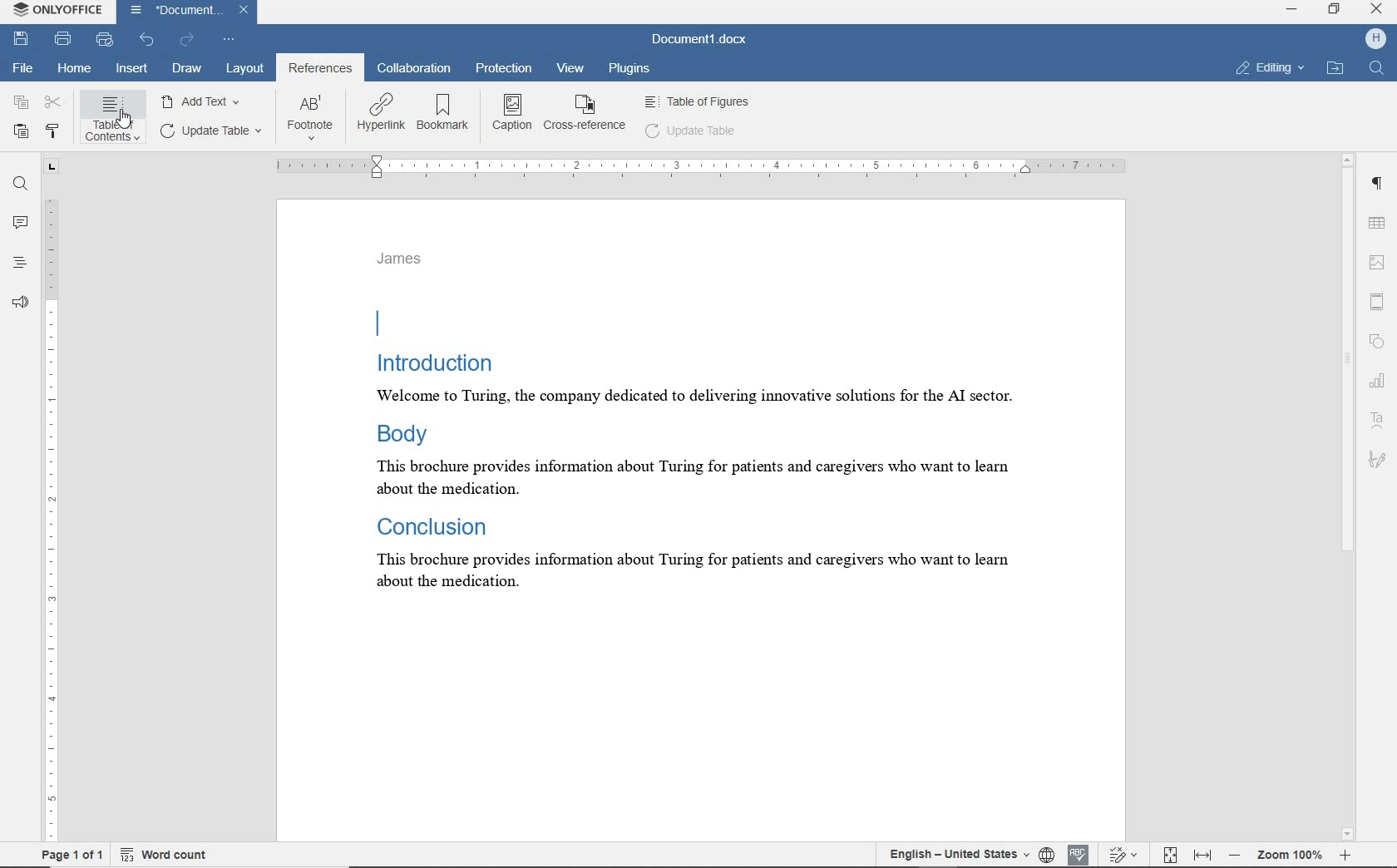 Image resolution: width=1397 pixels, height=868 pixels. I want to click on EDITING, so click(1268, 70).